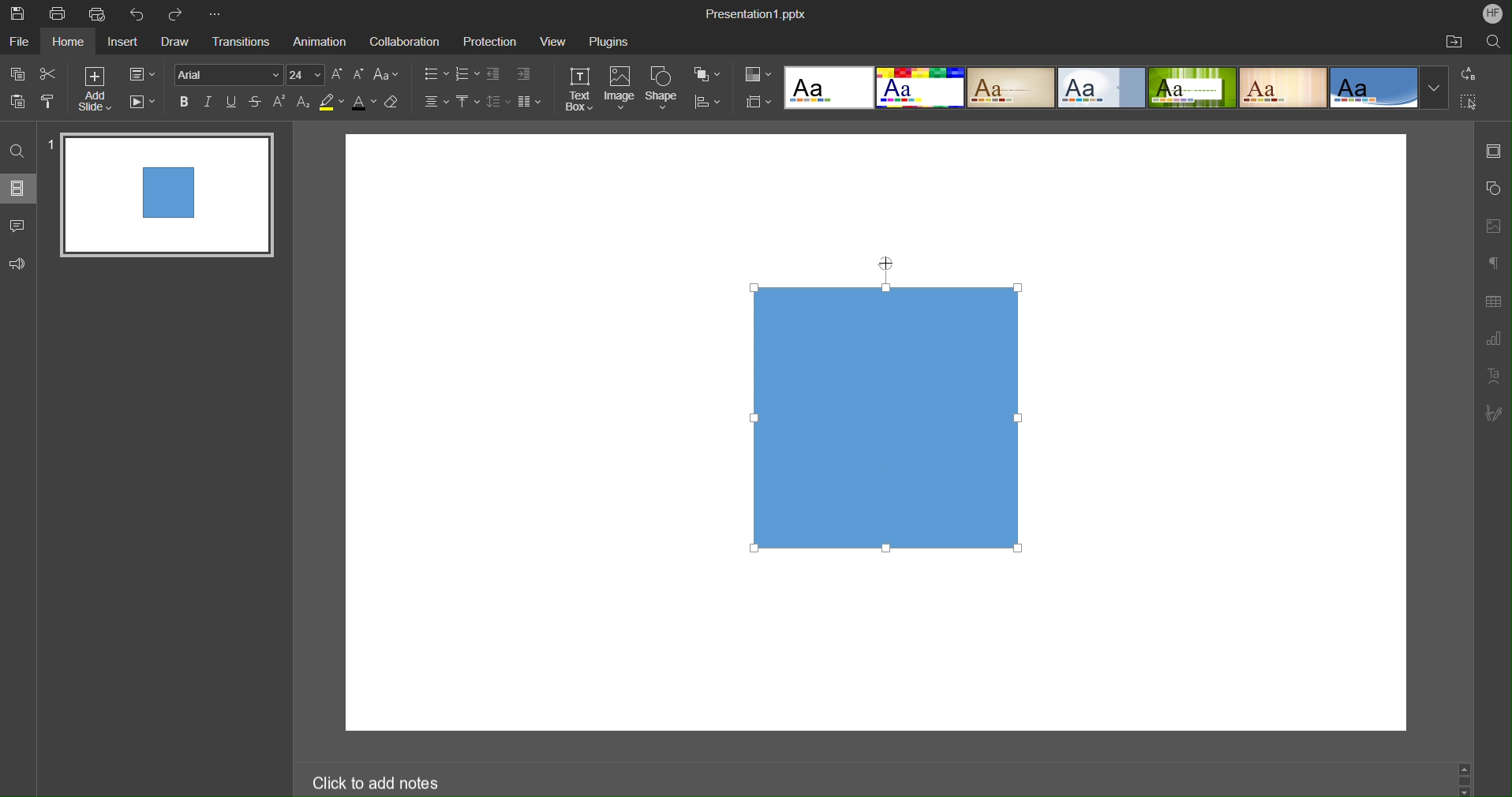 Image resolution: width=1512 pixels, height=797 pixels. What do you see at coordinates (17, 74) in the screenshot?
I see `Copy` at bounding box center [17, 74].